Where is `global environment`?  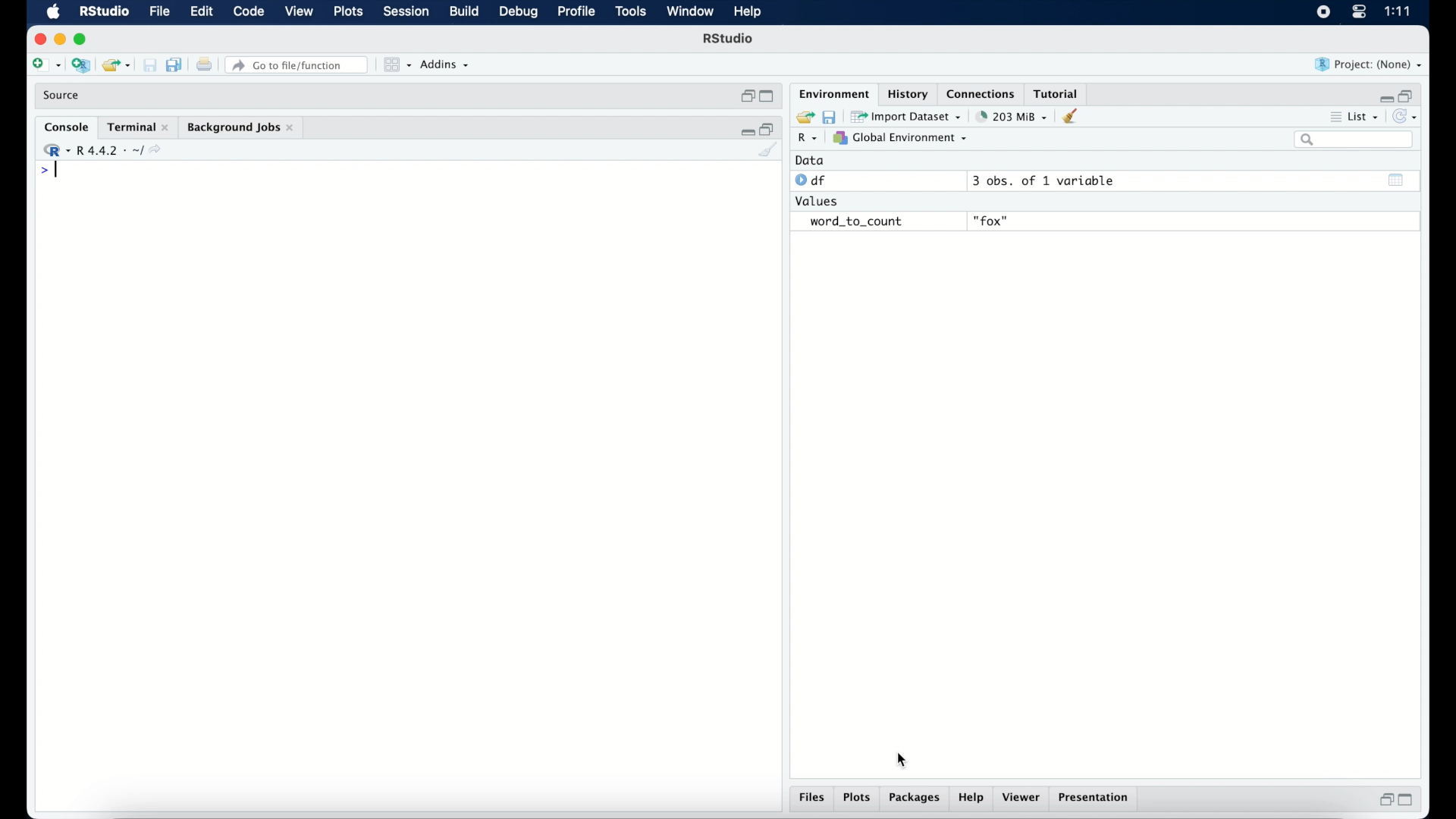 global environment is located at coordinates (900, 137).